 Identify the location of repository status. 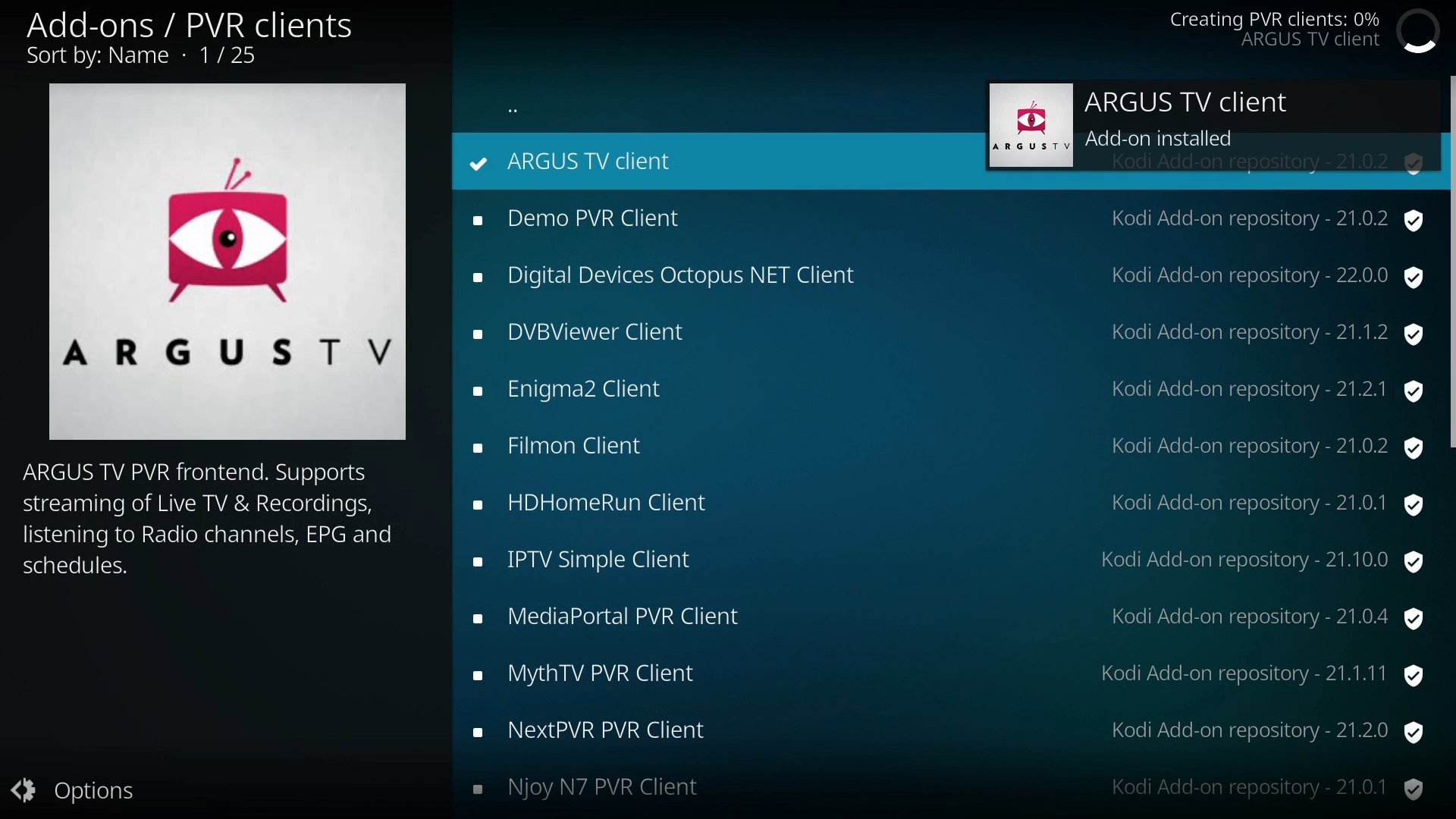
(472, 161).